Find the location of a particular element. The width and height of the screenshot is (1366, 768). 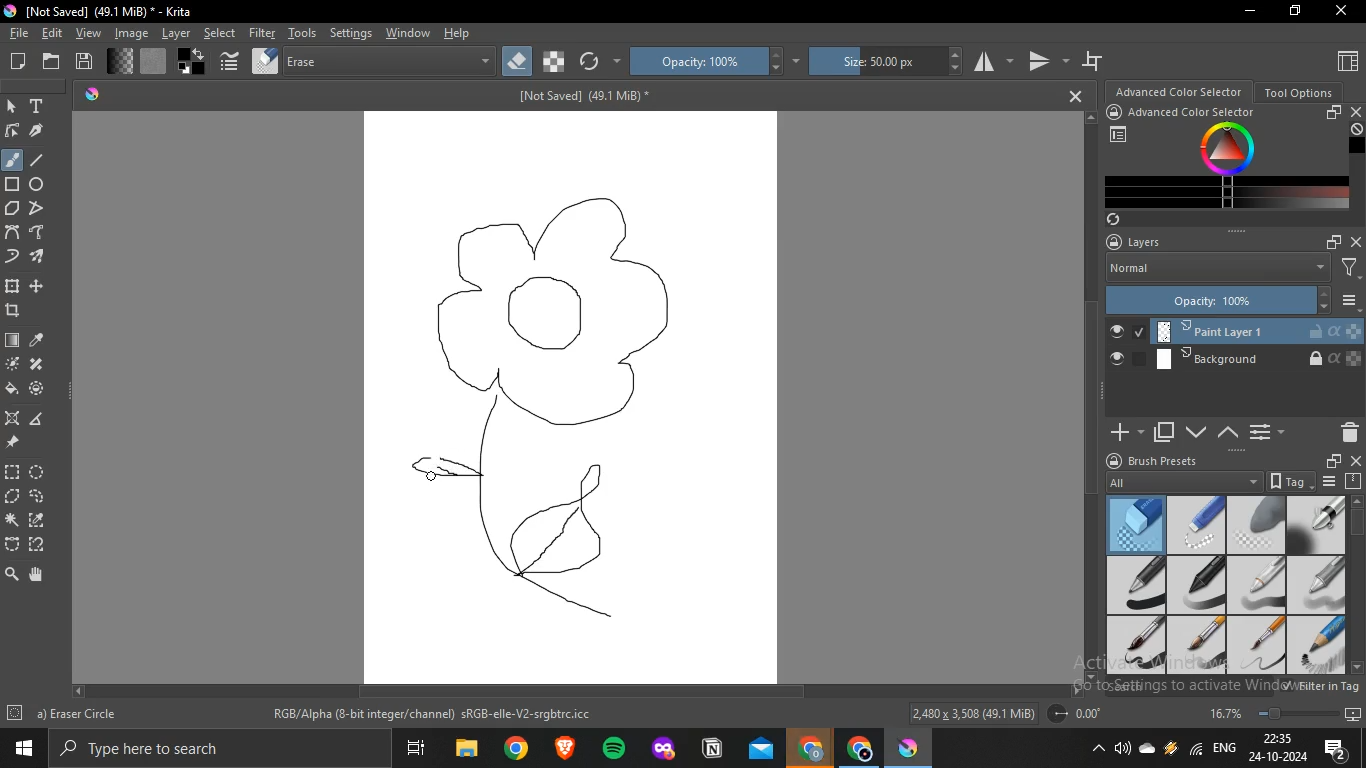

airbrush soft is located at coordinates (1320, 524).